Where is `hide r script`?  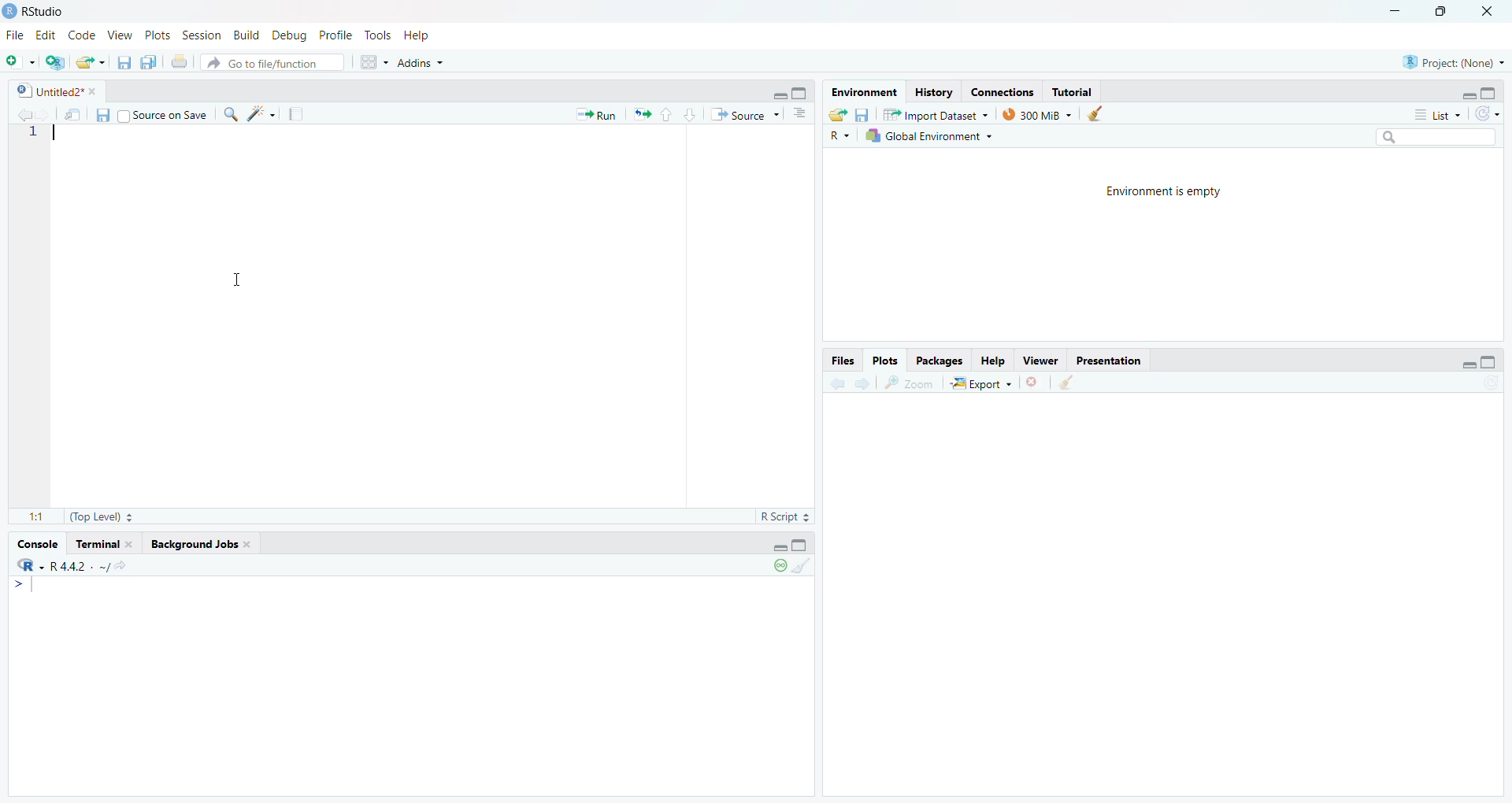 hide r script is located at coordinates (777, 545).